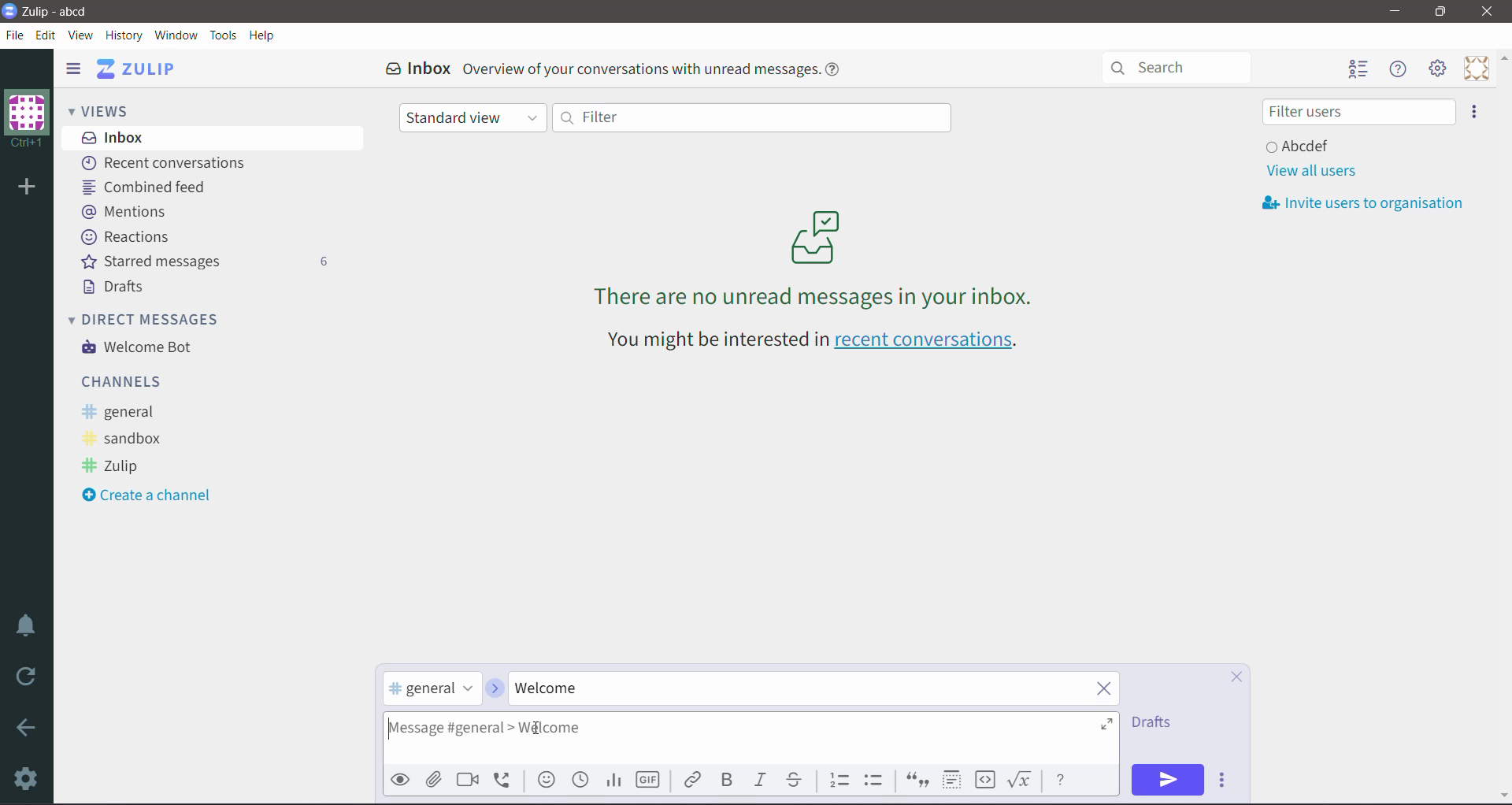 The image size is (1512, 805). Describe the element at coordinates (9, 9) in the screenshot. I see `Application Logo` at that location.